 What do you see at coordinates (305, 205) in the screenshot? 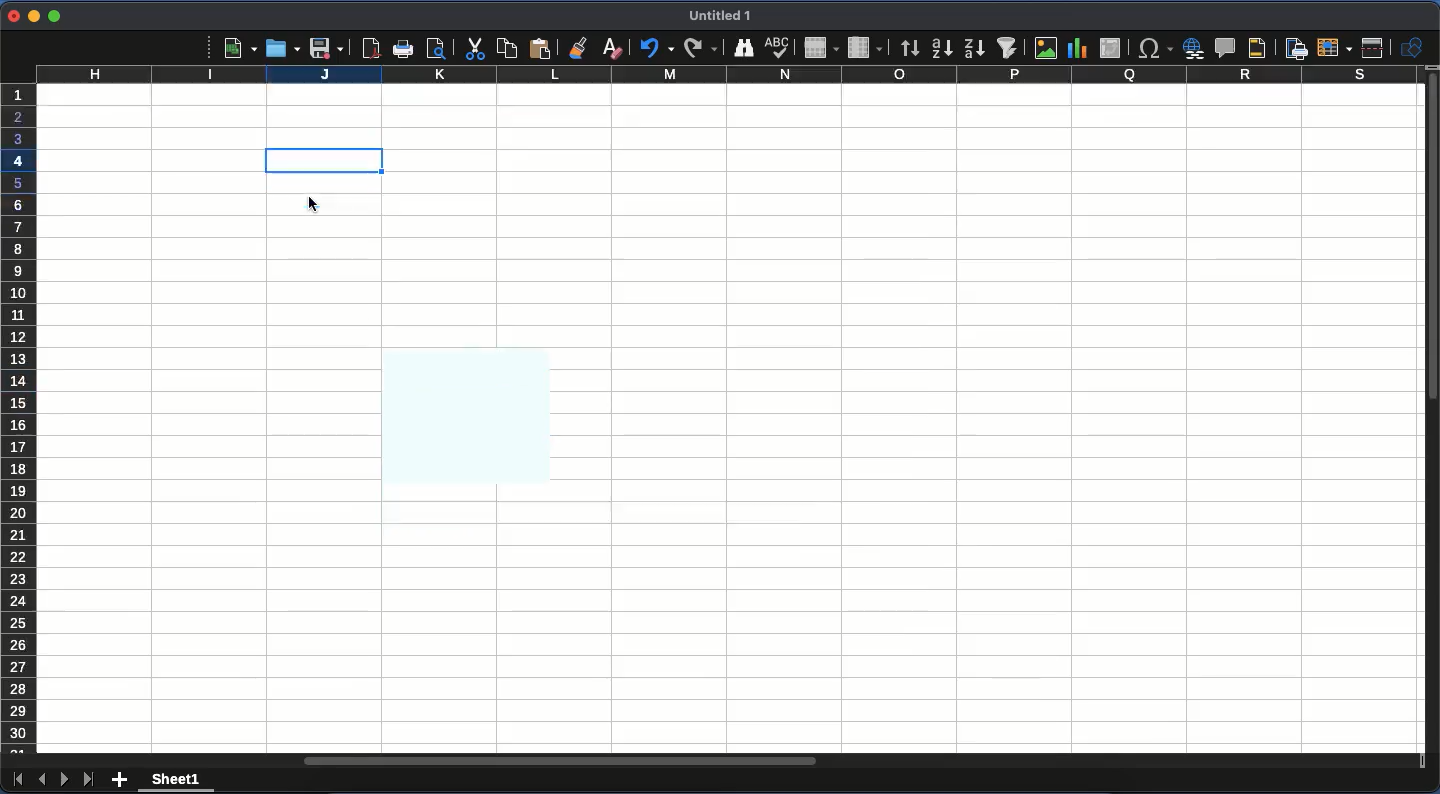
I see `cursor` at bounding box center [305, 205].